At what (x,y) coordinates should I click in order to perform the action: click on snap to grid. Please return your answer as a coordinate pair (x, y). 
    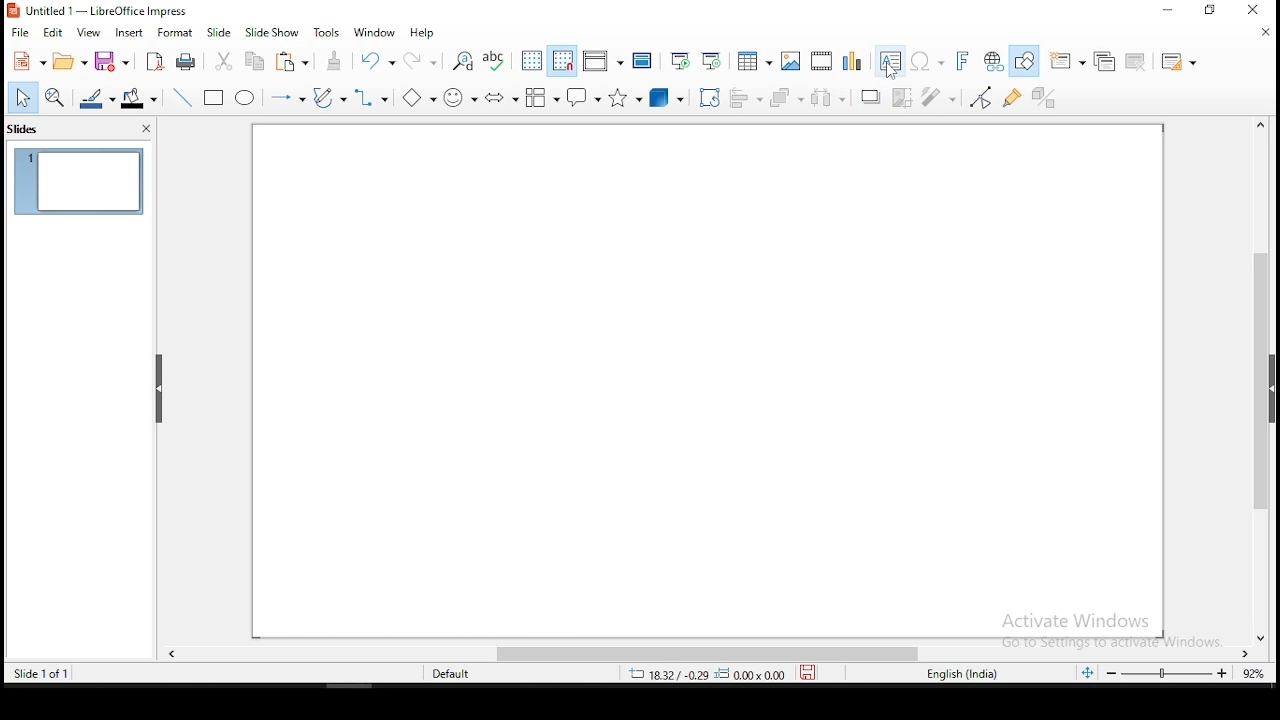
    Looking at the image, I should click on (563, 59).